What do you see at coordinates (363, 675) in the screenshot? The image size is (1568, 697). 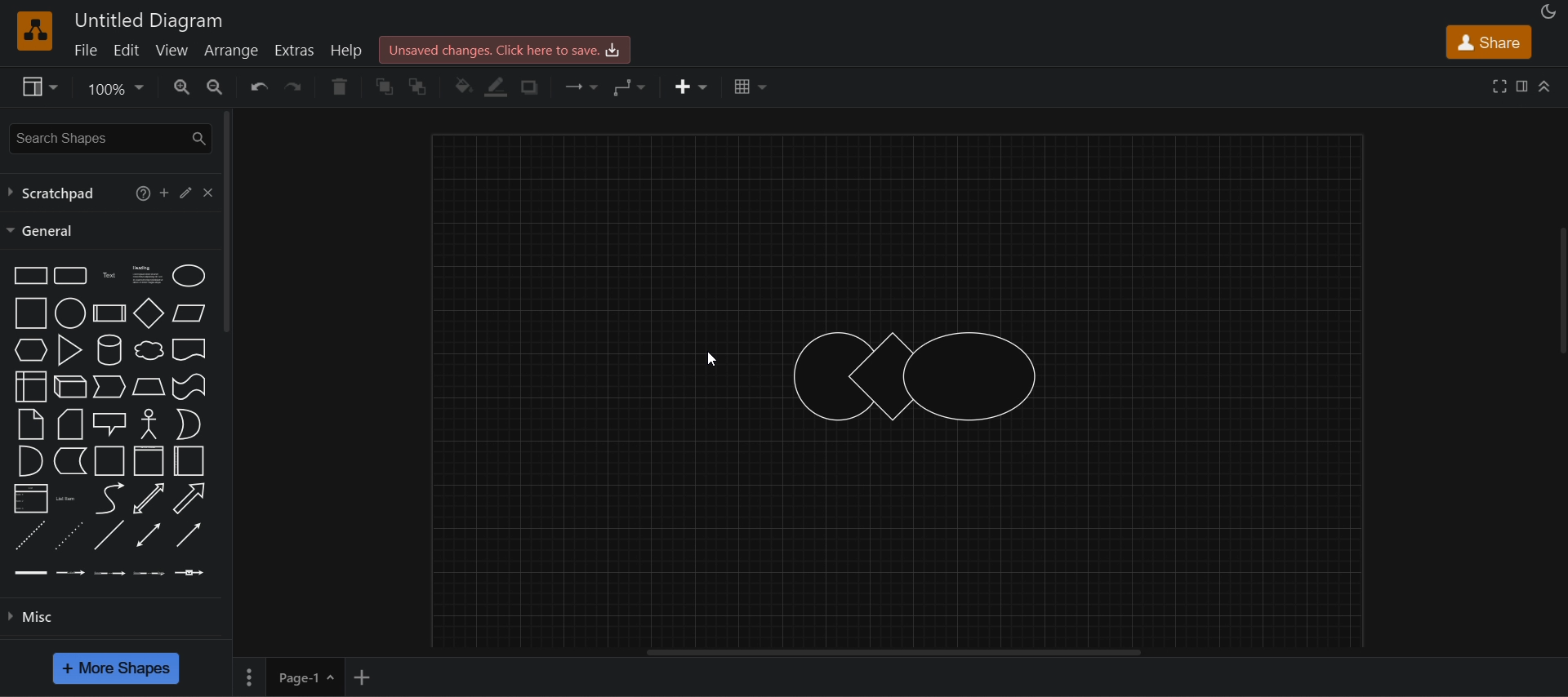 I see `add new page` at bounding box center [363, 675].